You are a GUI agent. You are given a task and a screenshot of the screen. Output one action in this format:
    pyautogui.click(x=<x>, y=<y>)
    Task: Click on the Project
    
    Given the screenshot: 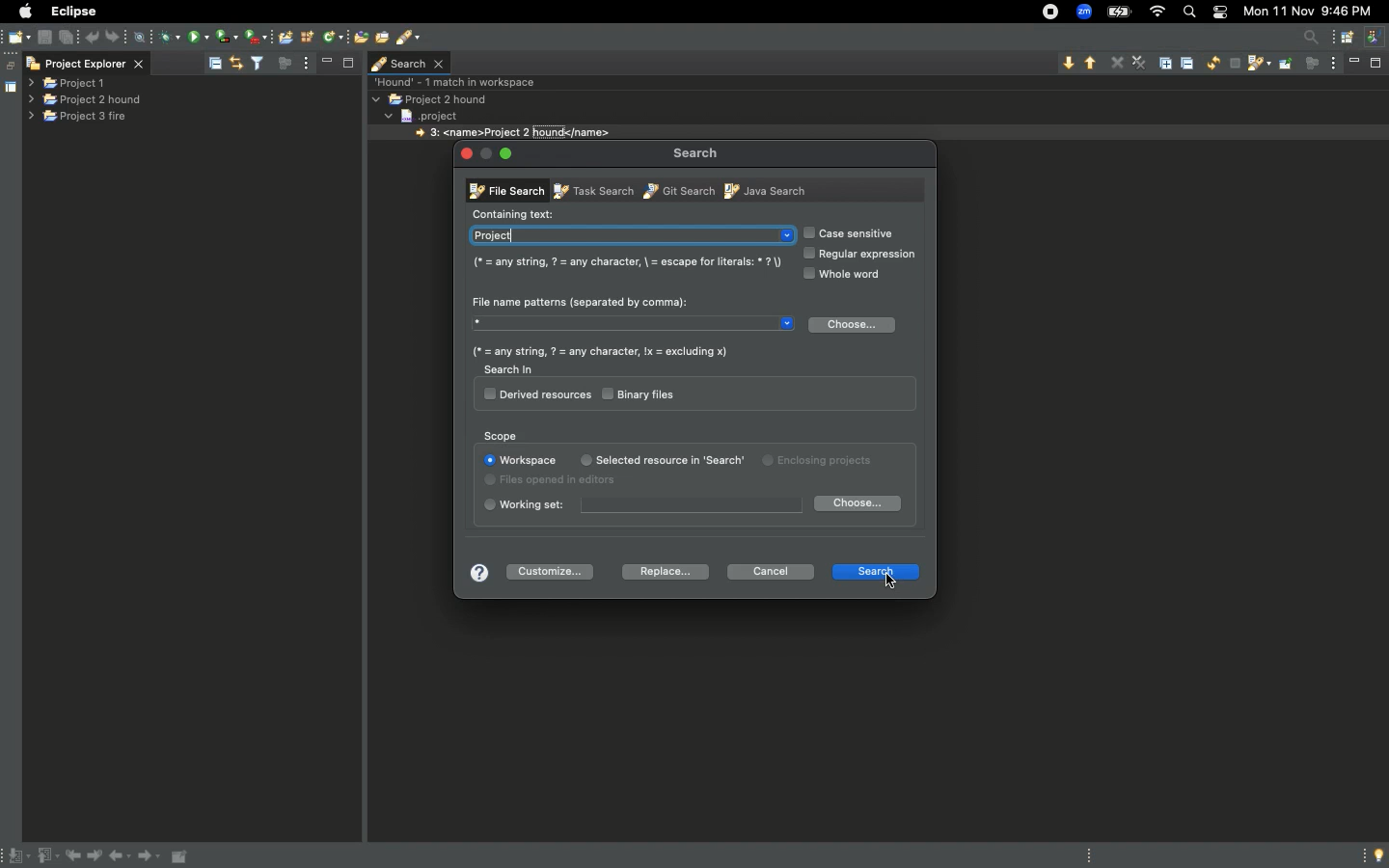 What is the action you would take?
    pyautogui.click(x=437, y=115)
    